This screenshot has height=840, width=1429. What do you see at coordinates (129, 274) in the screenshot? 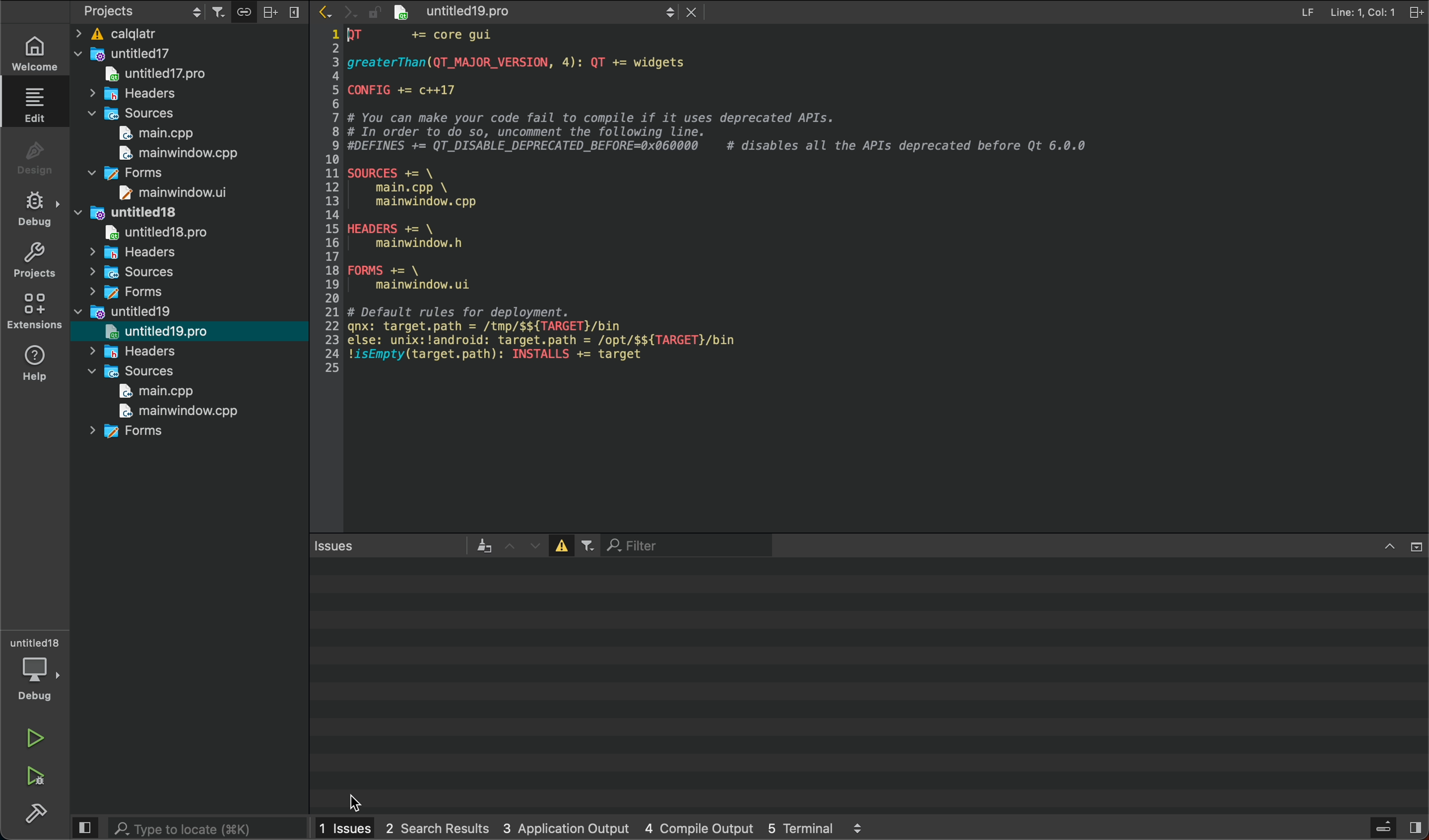
I see `sources` at bounding box center [129, 274].